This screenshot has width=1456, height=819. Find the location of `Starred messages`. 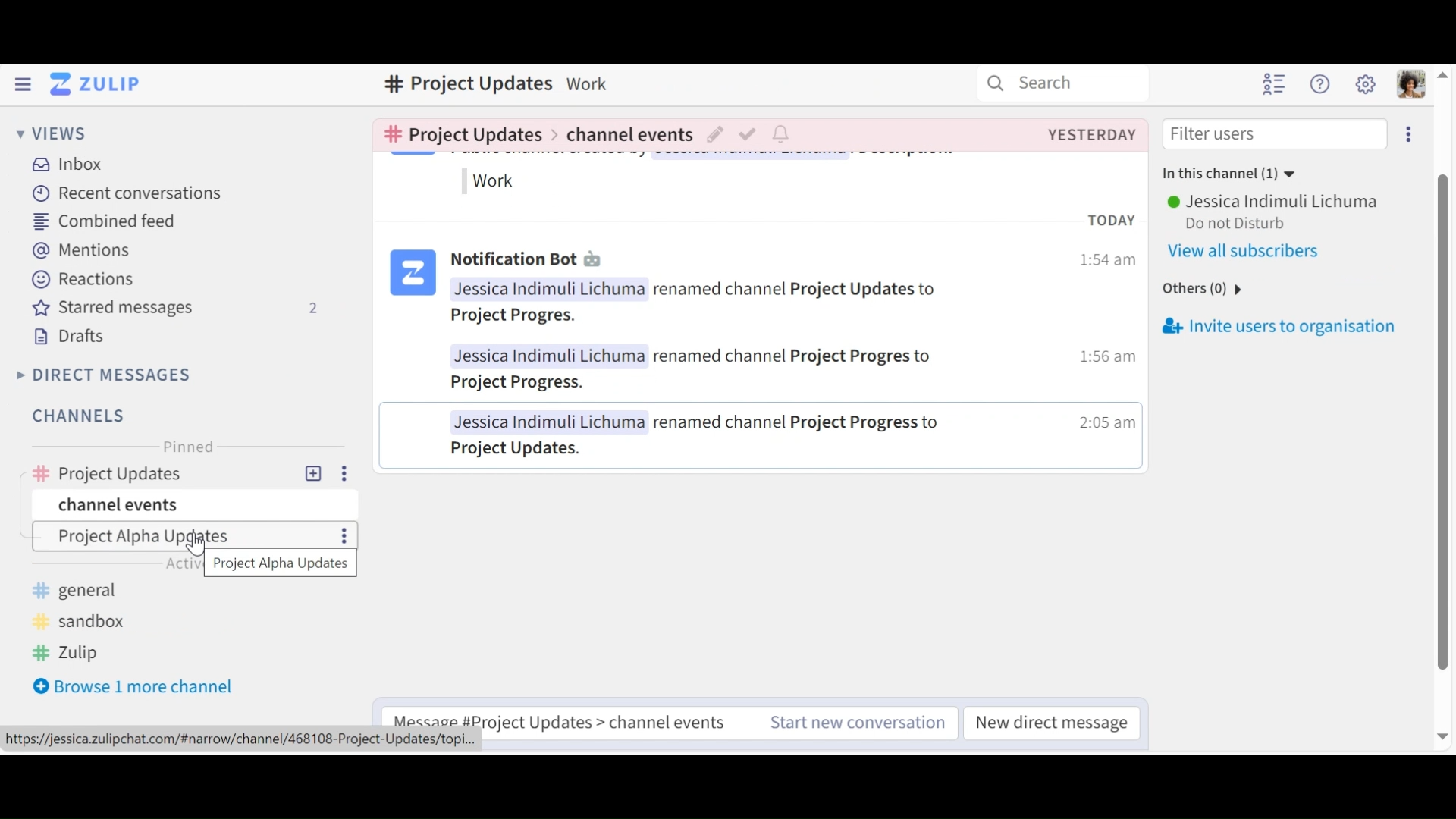

Starred messages is located at coordinates (172, 309).